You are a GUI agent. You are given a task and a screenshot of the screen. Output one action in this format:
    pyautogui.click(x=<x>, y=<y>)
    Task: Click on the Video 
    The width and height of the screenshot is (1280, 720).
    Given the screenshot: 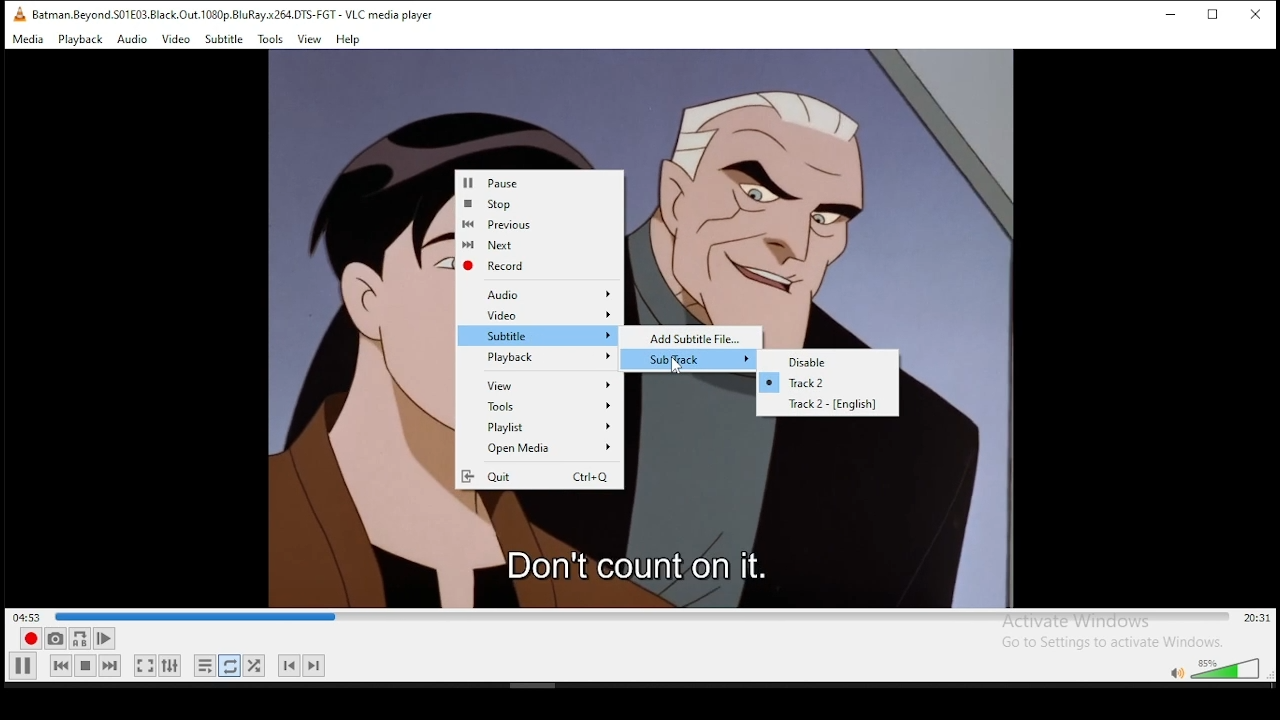 What is the action you would take?
    pyautogui.click(x=543, y=315)
    